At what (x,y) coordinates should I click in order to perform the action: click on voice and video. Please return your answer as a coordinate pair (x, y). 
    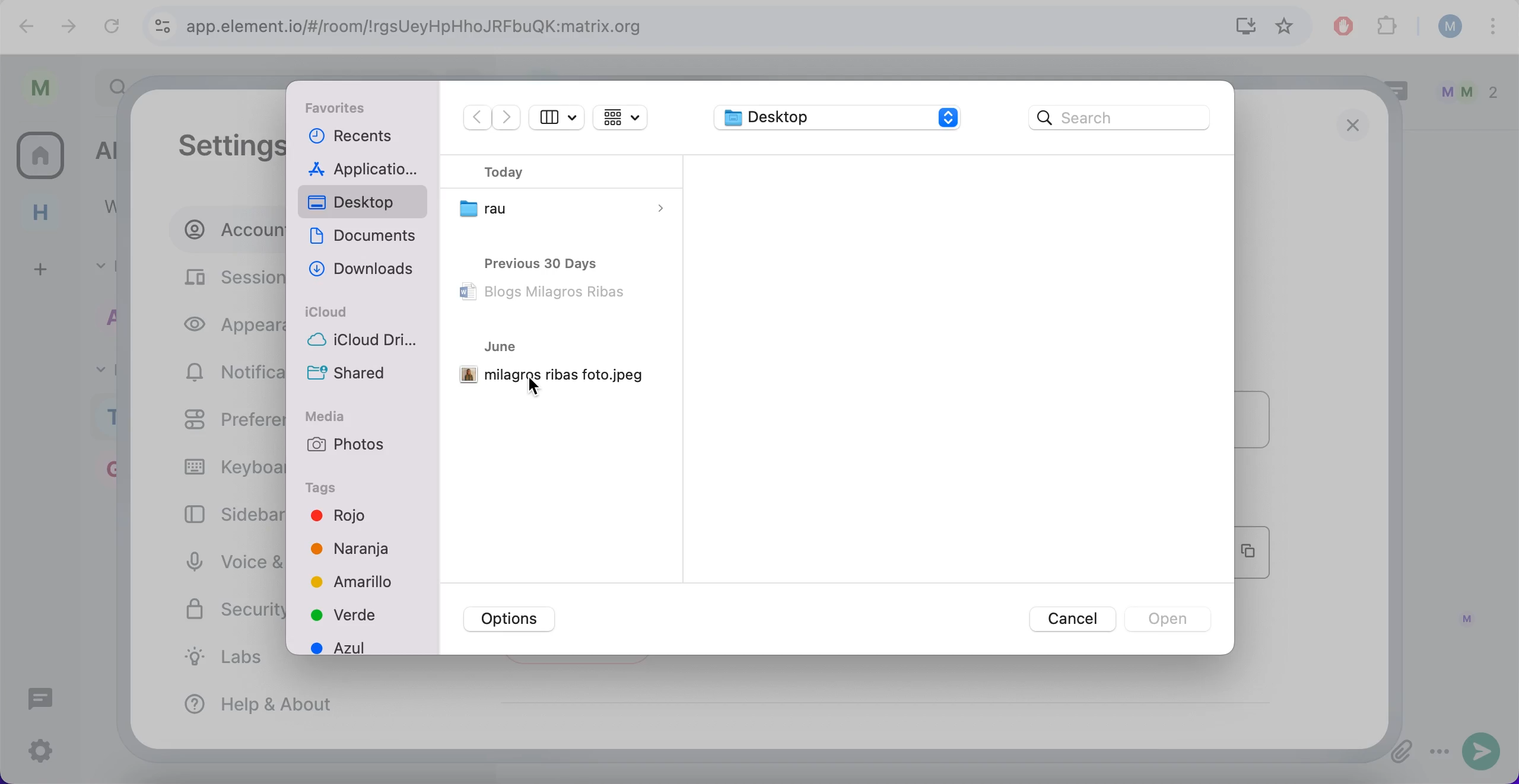
    Looking at the image, I should click on (228, 564).